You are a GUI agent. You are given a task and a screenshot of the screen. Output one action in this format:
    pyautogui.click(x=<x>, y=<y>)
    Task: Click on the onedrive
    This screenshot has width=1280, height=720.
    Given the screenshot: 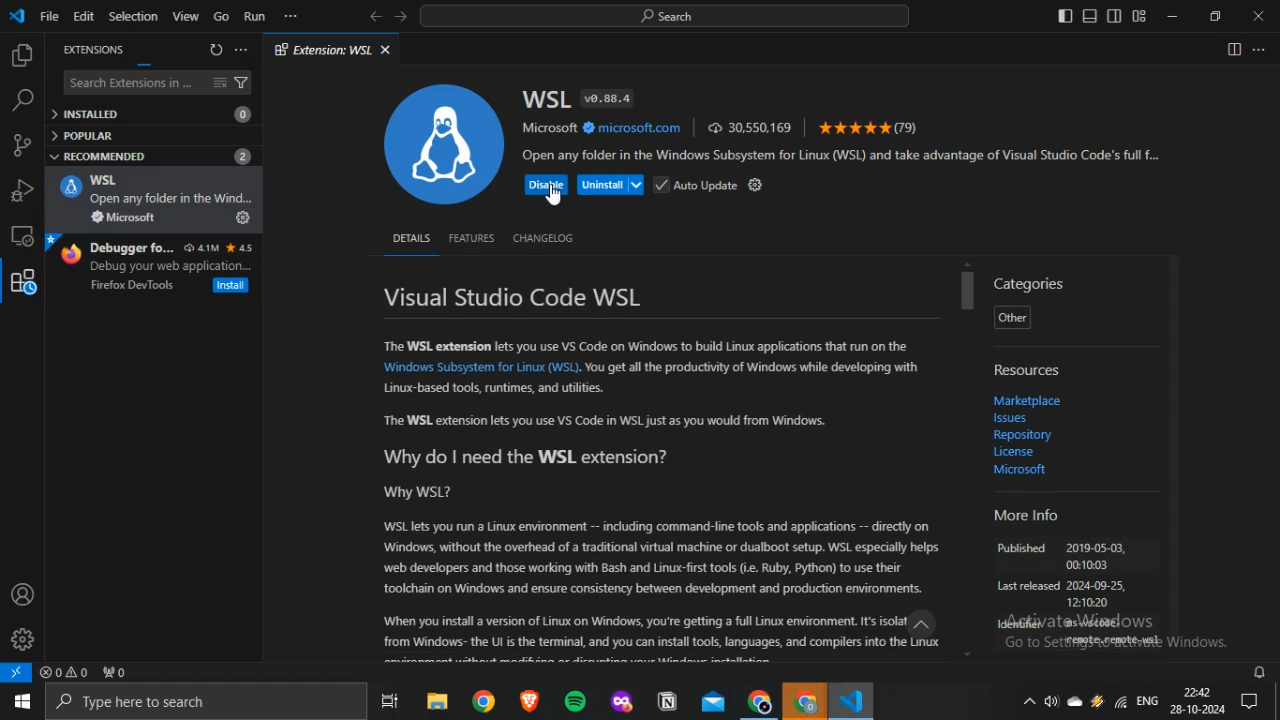 What is the action you would take?
    pyautogui.click(x=1075, y=702)
    